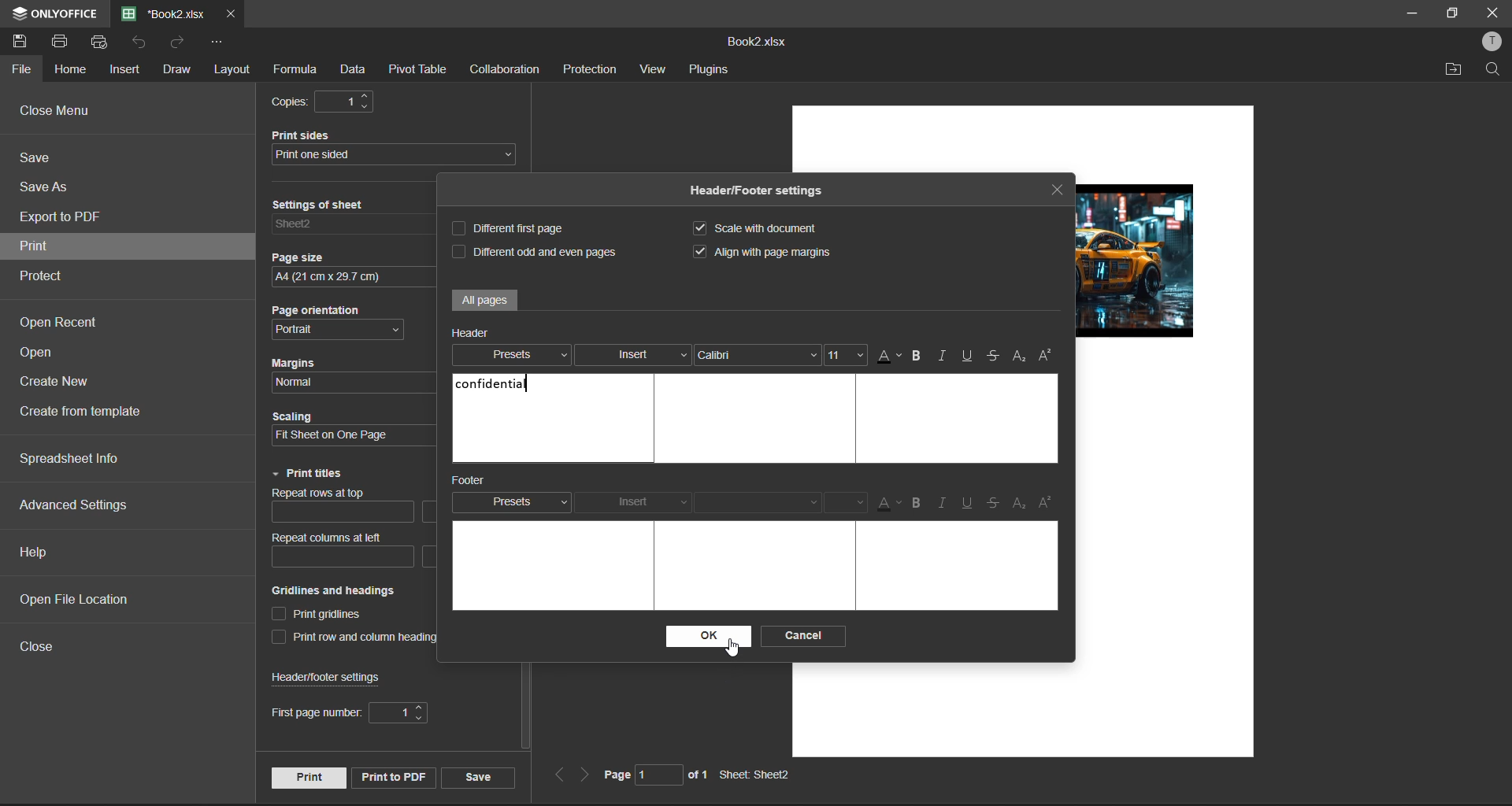 The image size is (1512, 806). What do you see at coordinates (39, 161) in the screenshot?
I see `save` at bounding box center [39, 161].